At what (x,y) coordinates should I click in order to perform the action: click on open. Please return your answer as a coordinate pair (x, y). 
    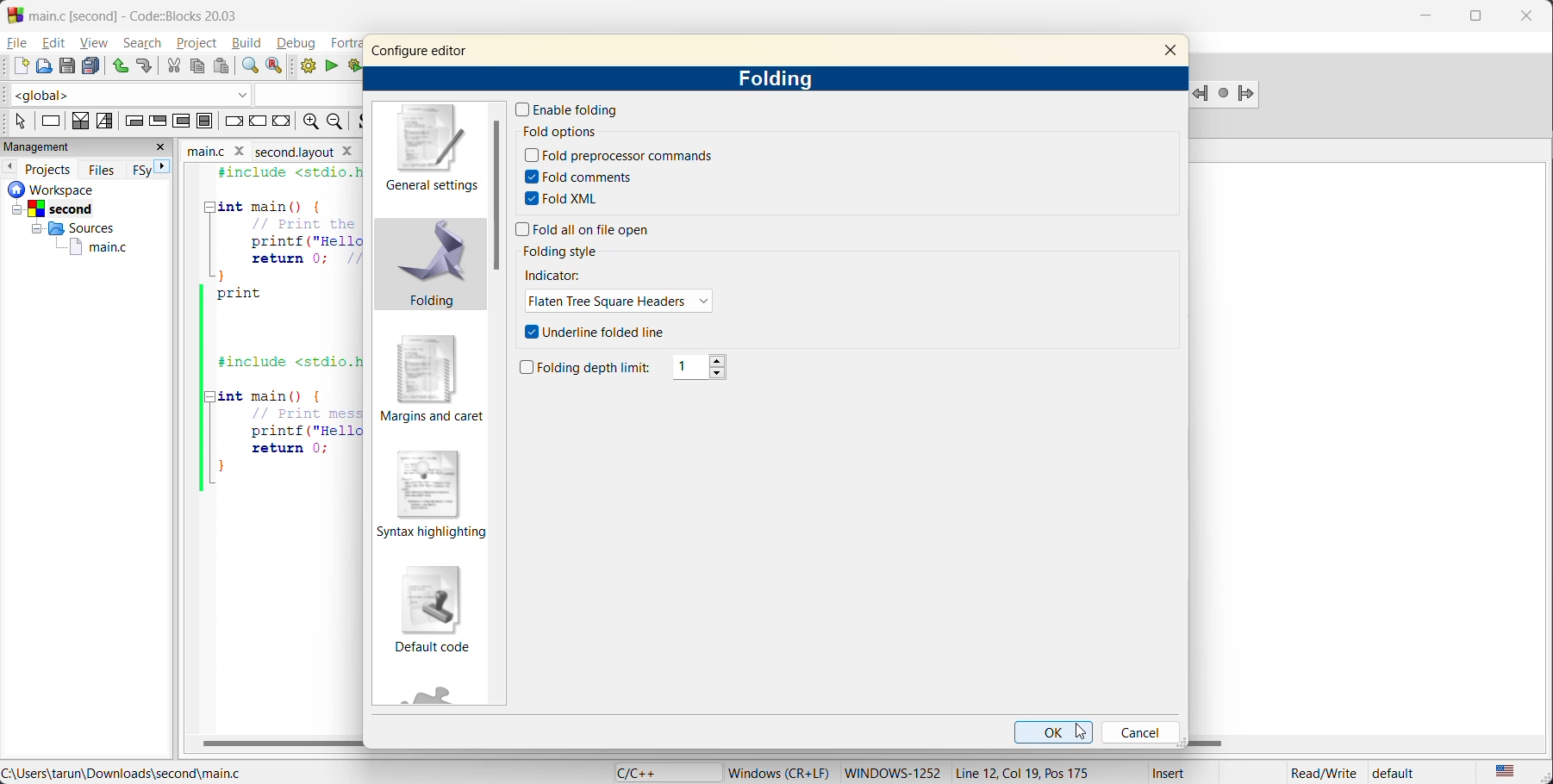
    Looking at the image, I should click on (47, 65).